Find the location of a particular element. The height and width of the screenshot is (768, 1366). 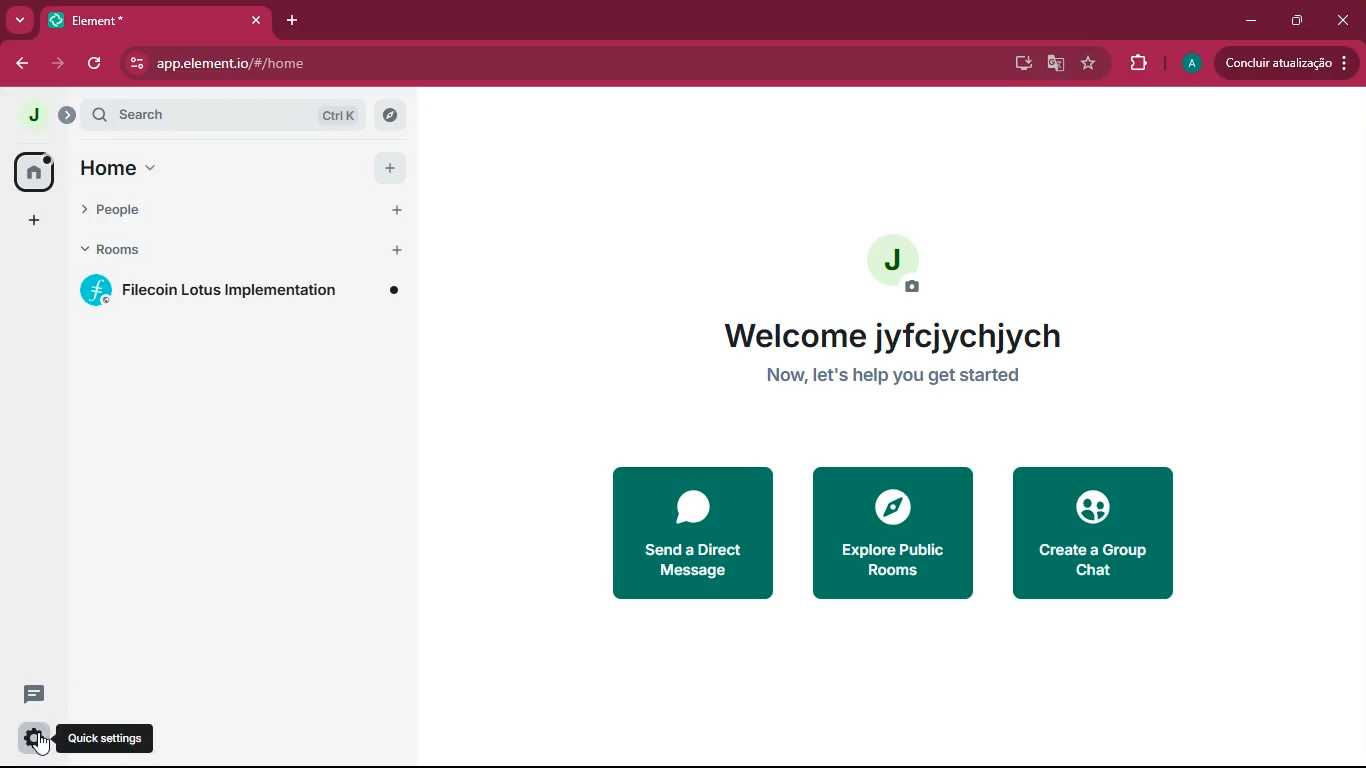

send a direct message is located at coordinates (688, 534).